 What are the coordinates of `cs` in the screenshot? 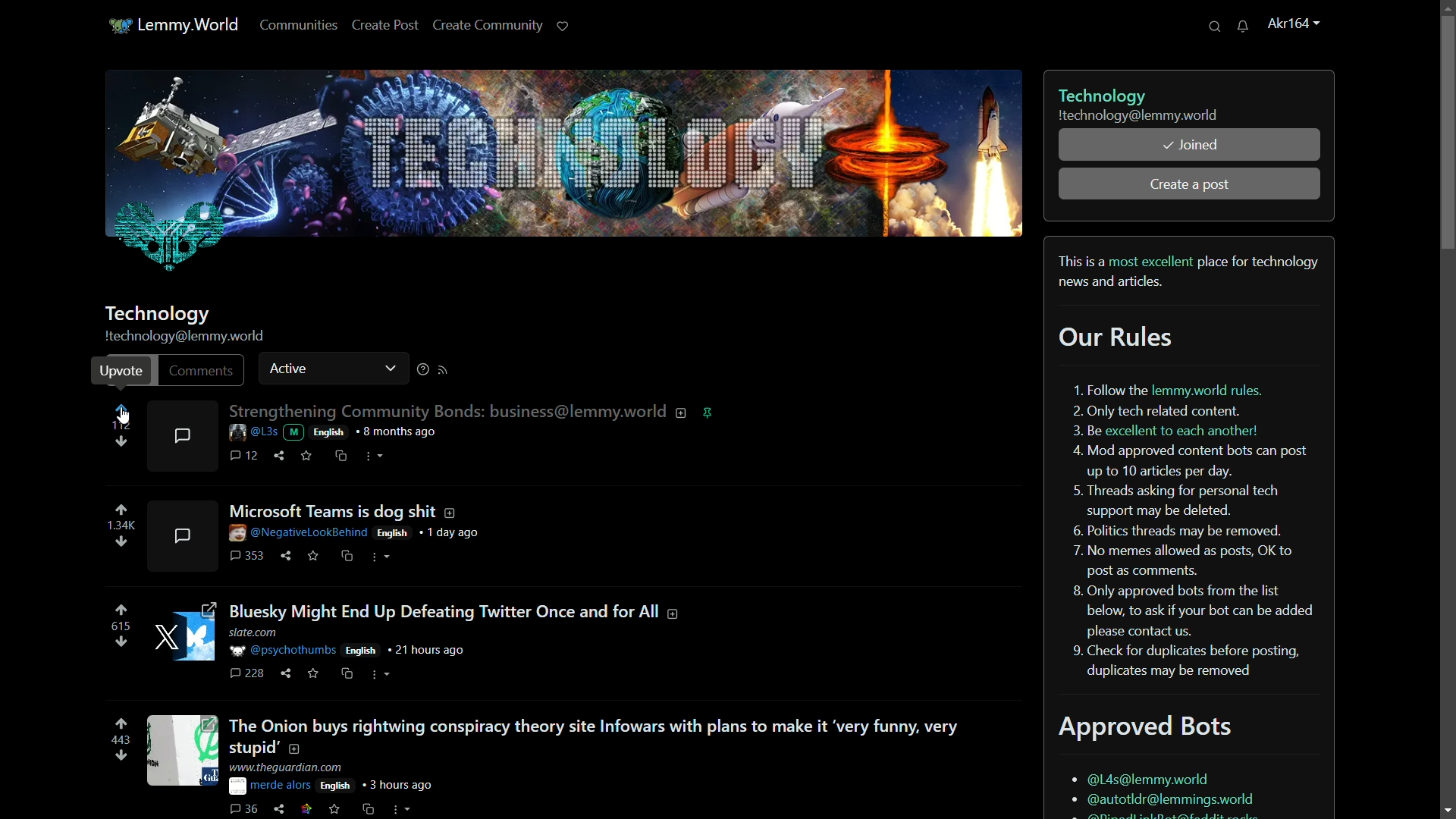 It's located at (349, 554).